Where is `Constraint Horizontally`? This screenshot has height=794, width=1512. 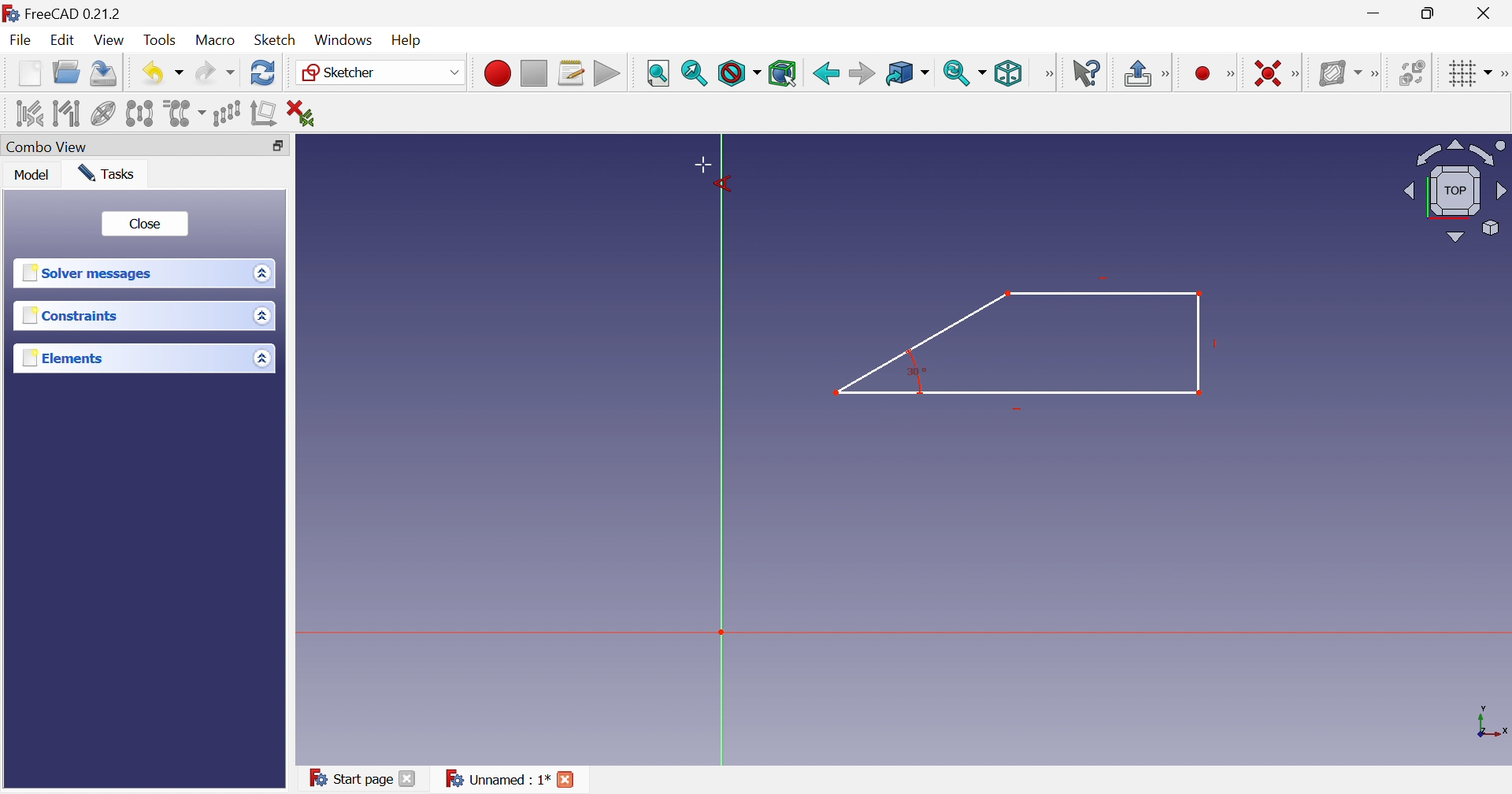 Constraint Horizontally is located at coordinates (1256, 70).